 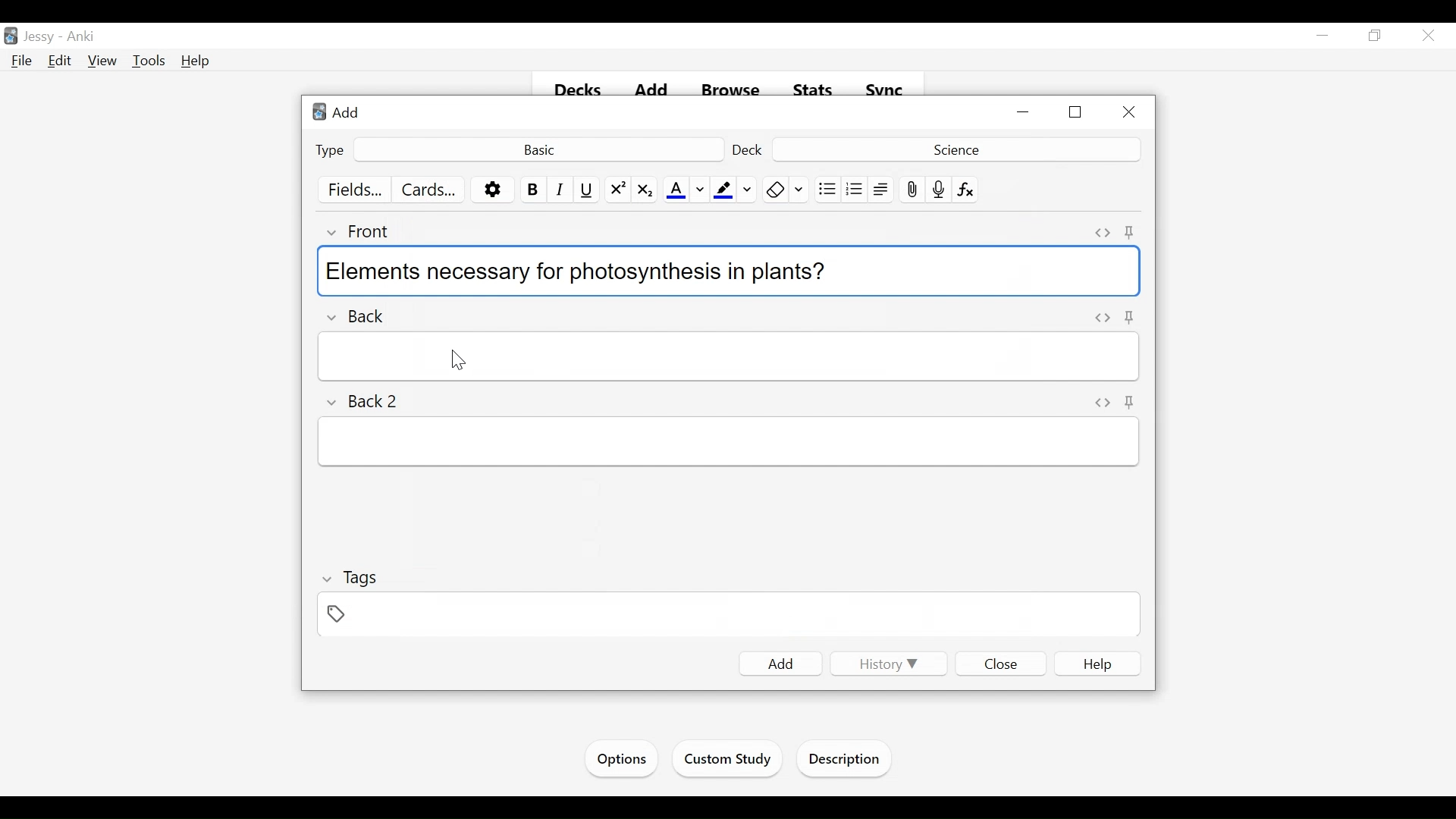 What do you see at coordinates (966, 190) in the screenshot?
I see `Equation` at bounding box center [966, 190].